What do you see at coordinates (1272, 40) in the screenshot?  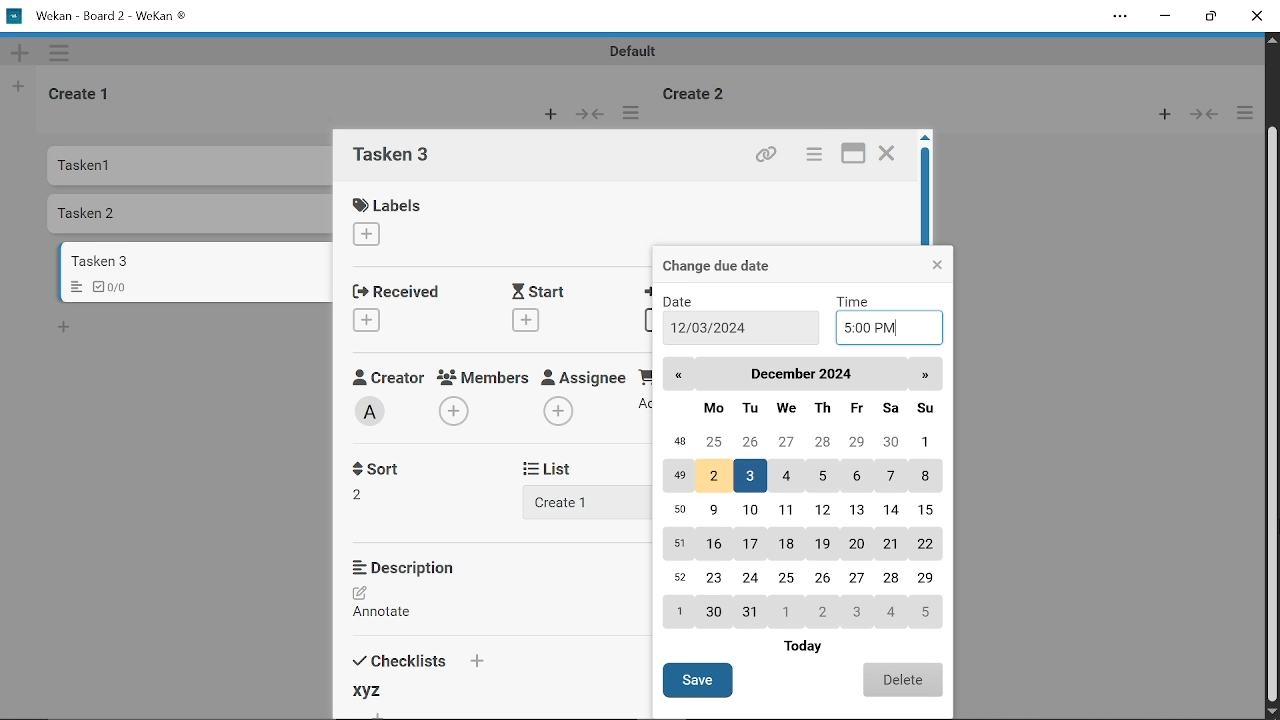 I see `Move up` at bounding box center [1272, 40].